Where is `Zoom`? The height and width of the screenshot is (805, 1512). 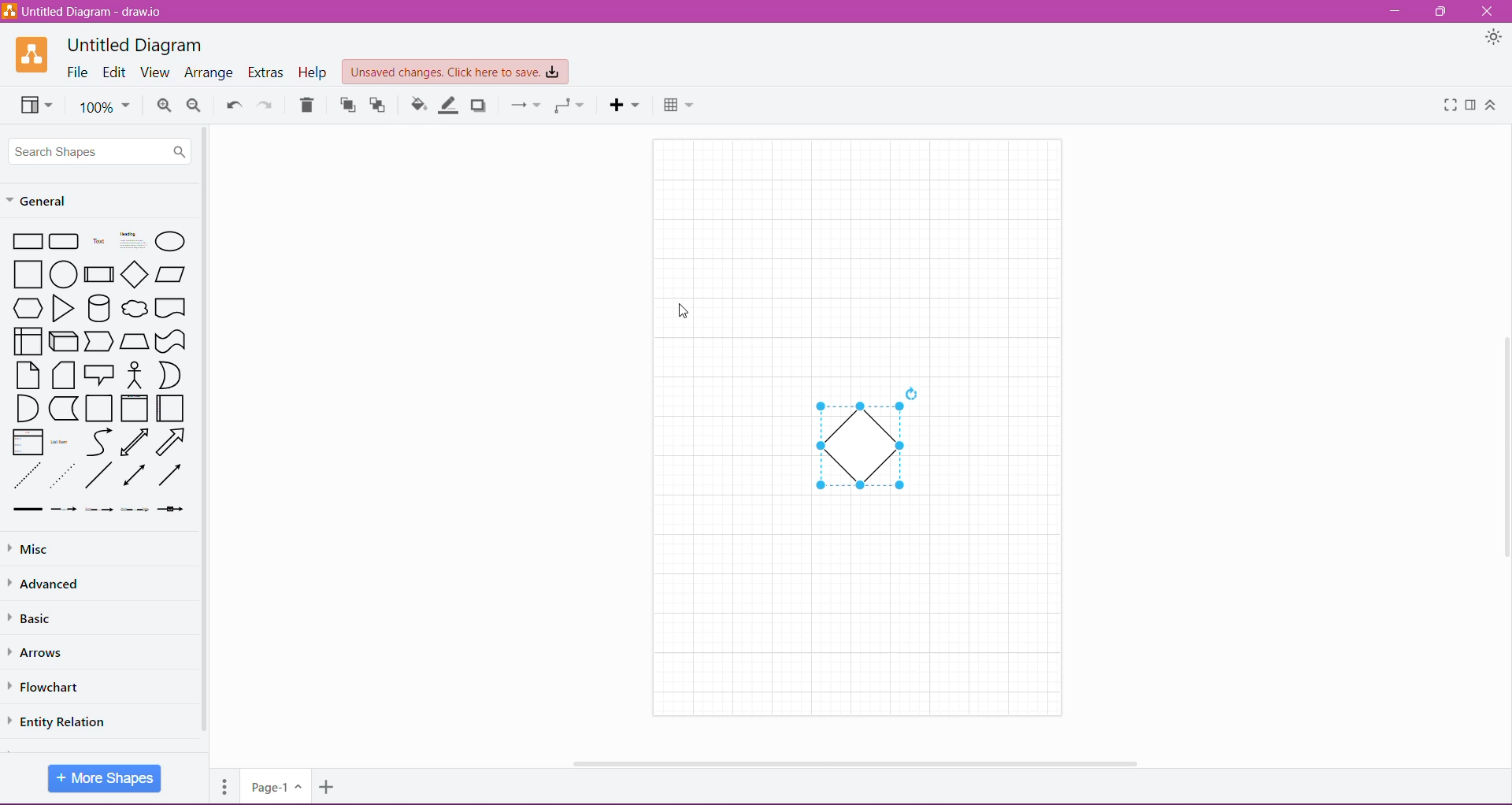 Zoom is located at coordinates (106, 107).